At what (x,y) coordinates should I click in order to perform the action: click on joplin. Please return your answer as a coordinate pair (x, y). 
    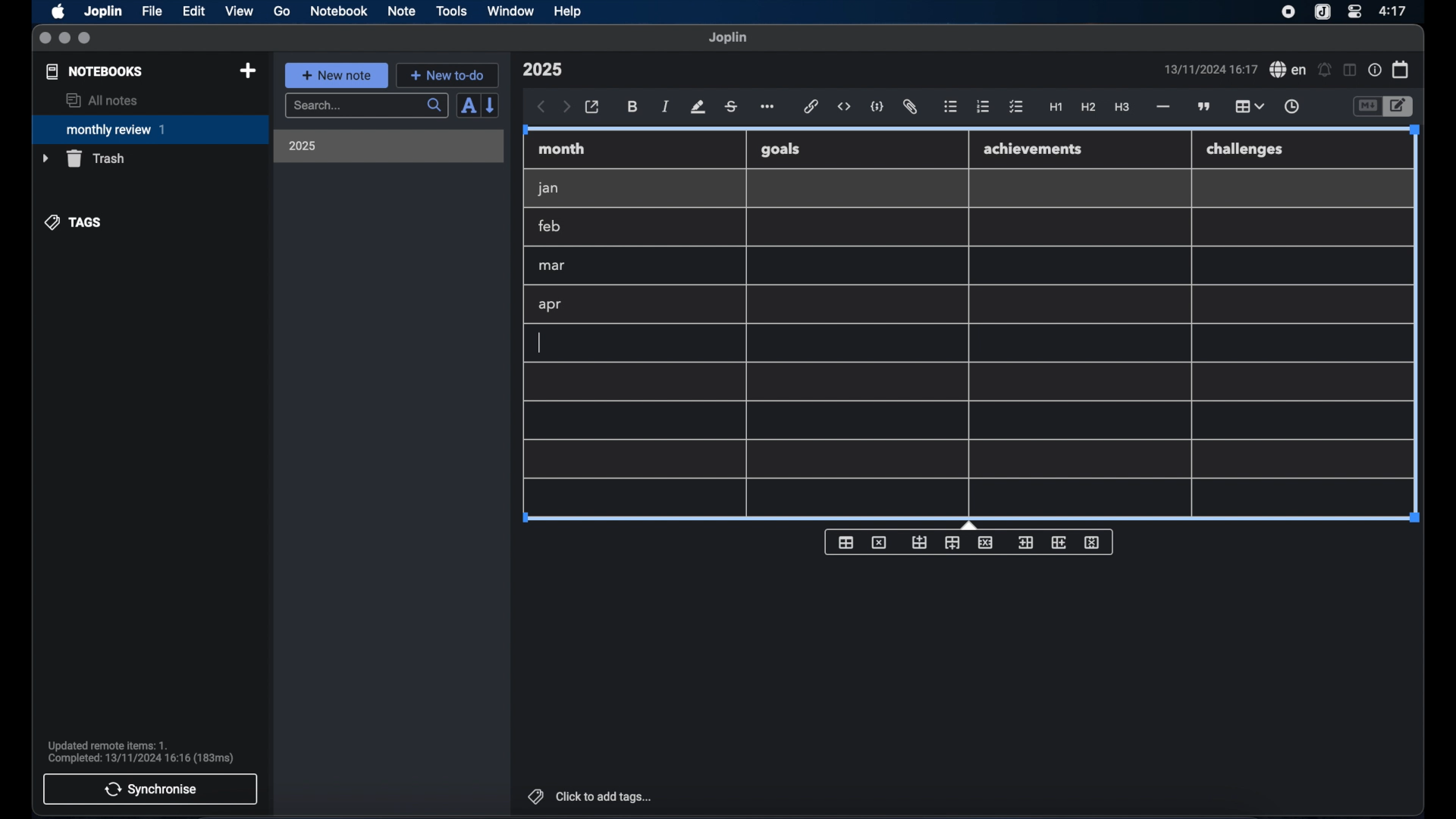
    Looking at the image, I should click on (728, 37).